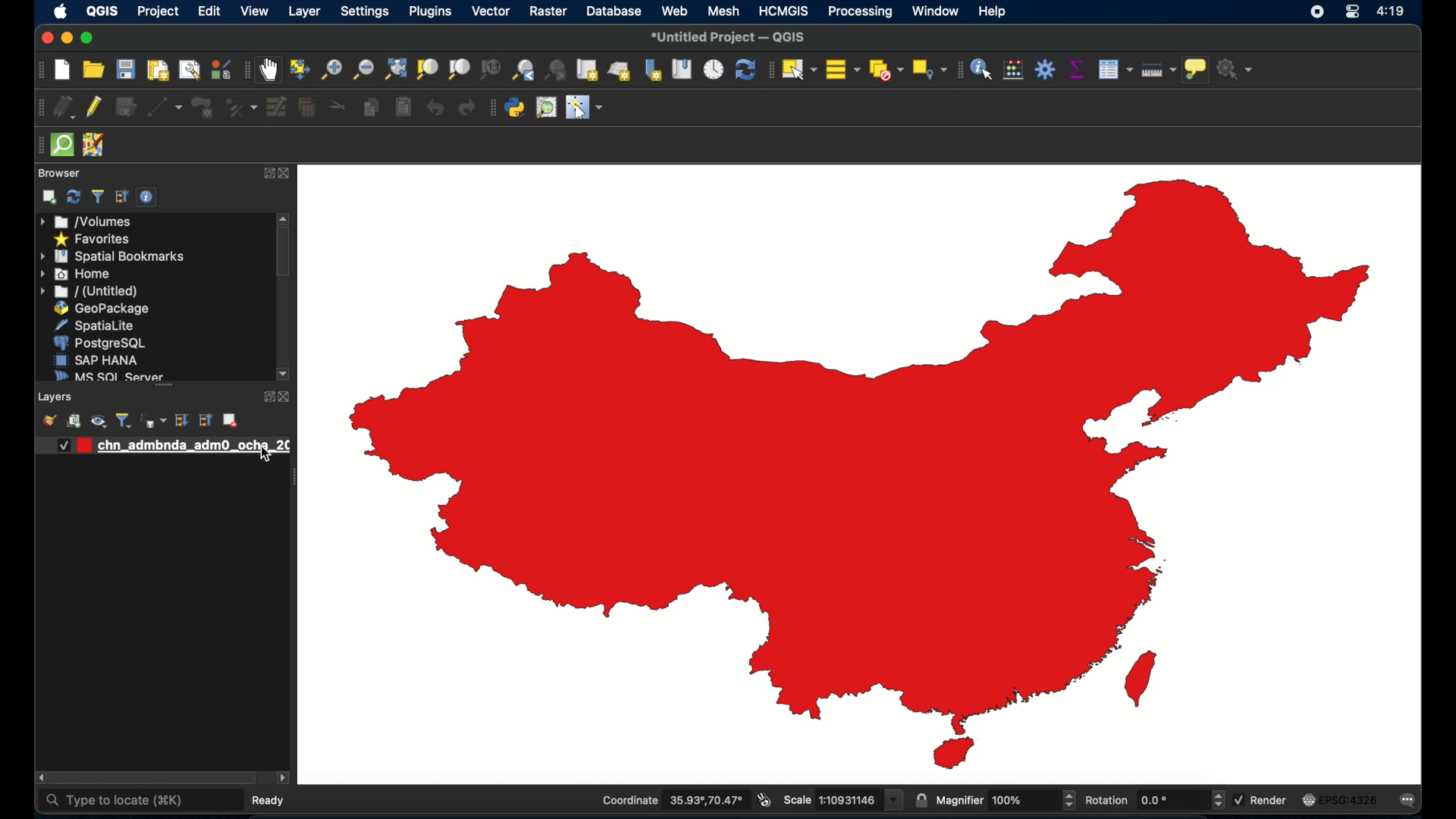  What do you see at coordinates (548, 13) in the screenshot?
I see `raster` at bounding box center [548, 13].